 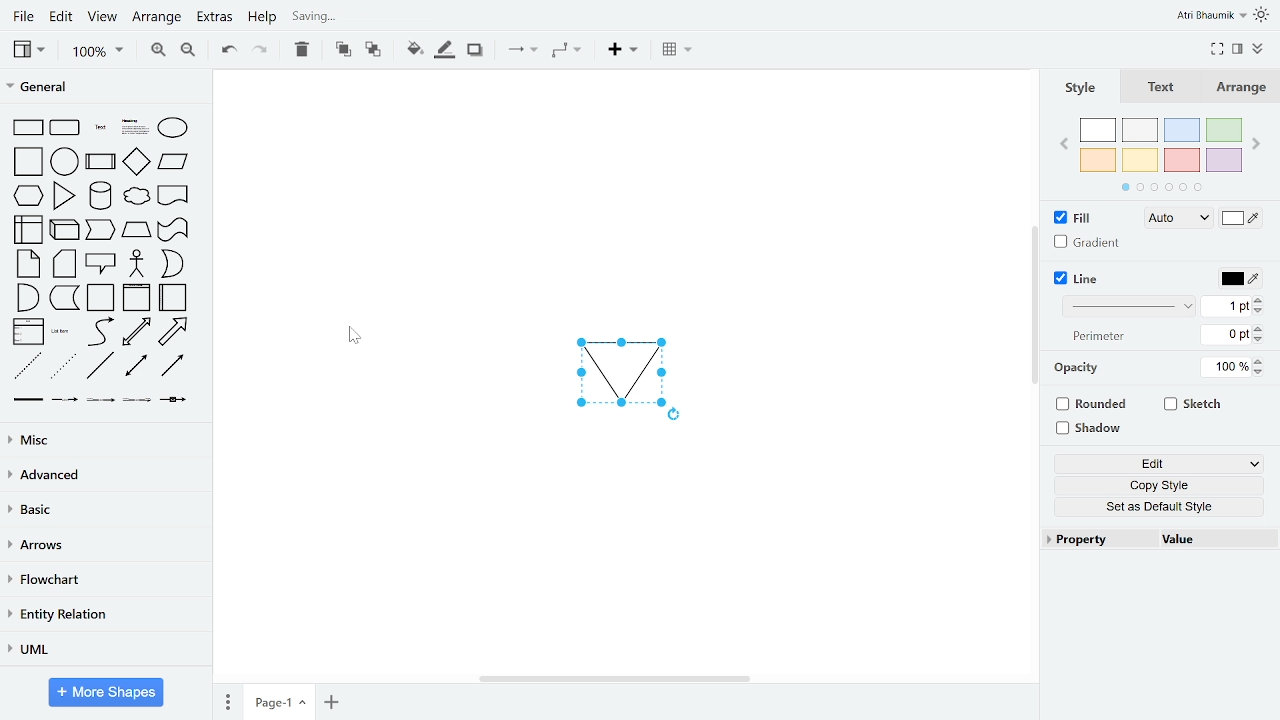 I want to click on styles, so click(x=1078, y=87).